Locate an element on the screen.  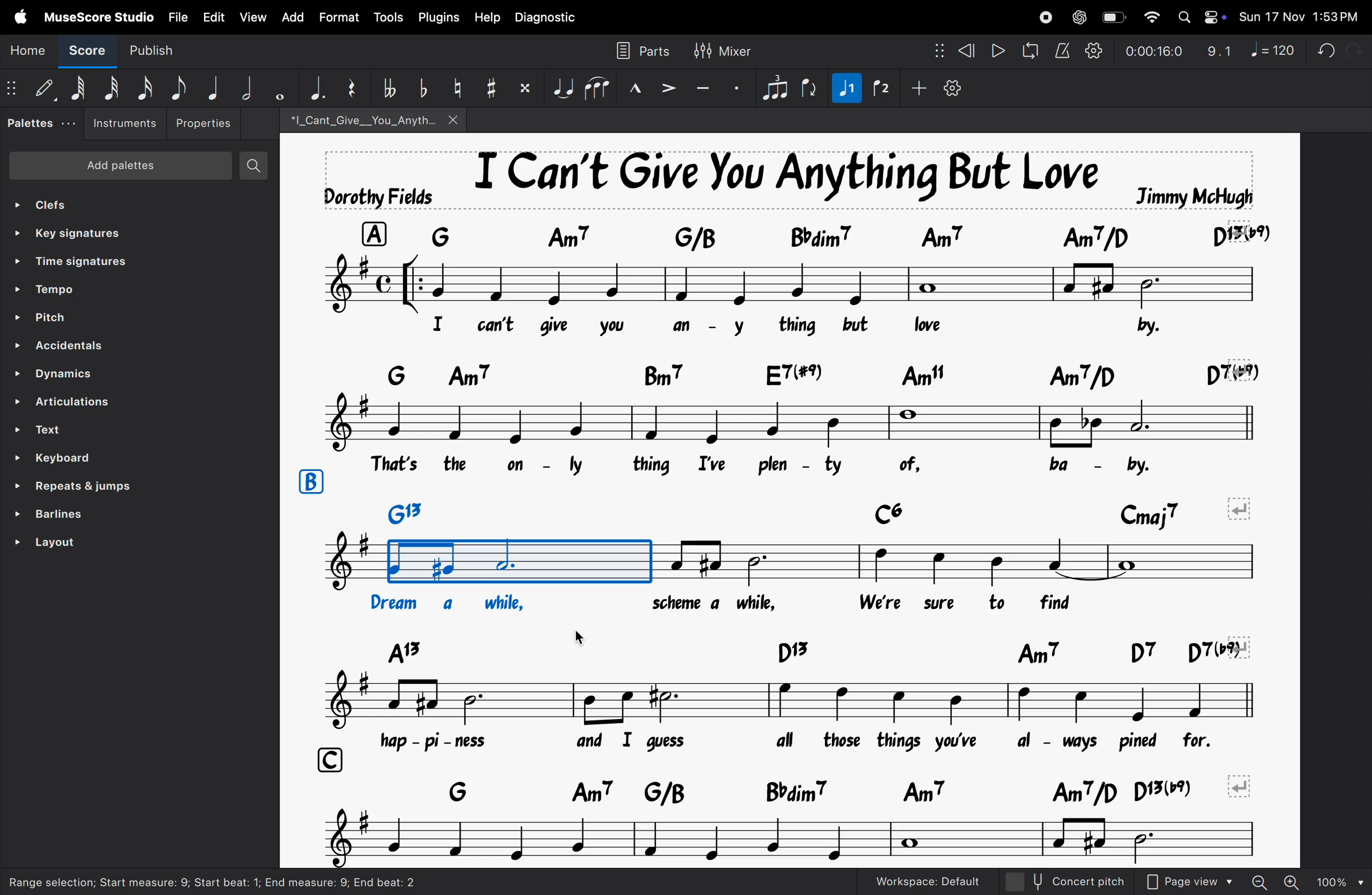
Quarter note  is located at coordinates (212, 87).